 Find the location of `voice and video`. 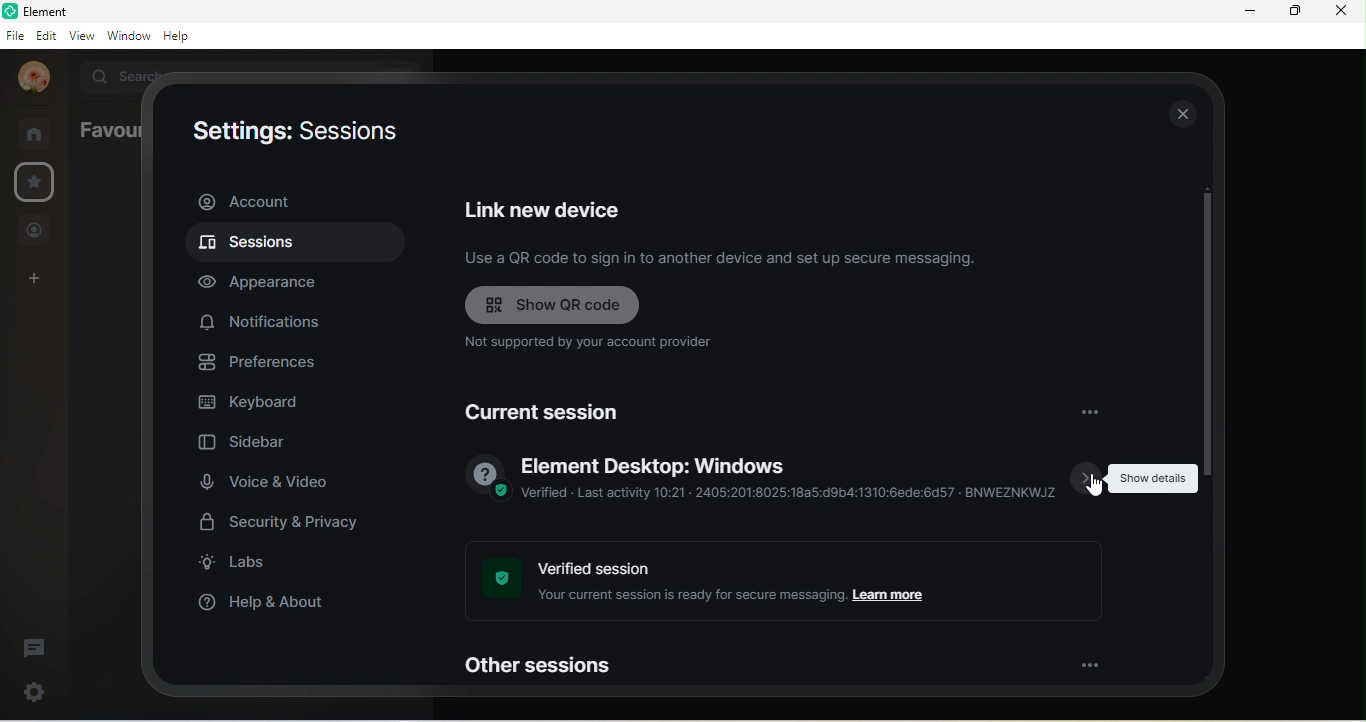

voice and video is located at coordinates (265, 481).